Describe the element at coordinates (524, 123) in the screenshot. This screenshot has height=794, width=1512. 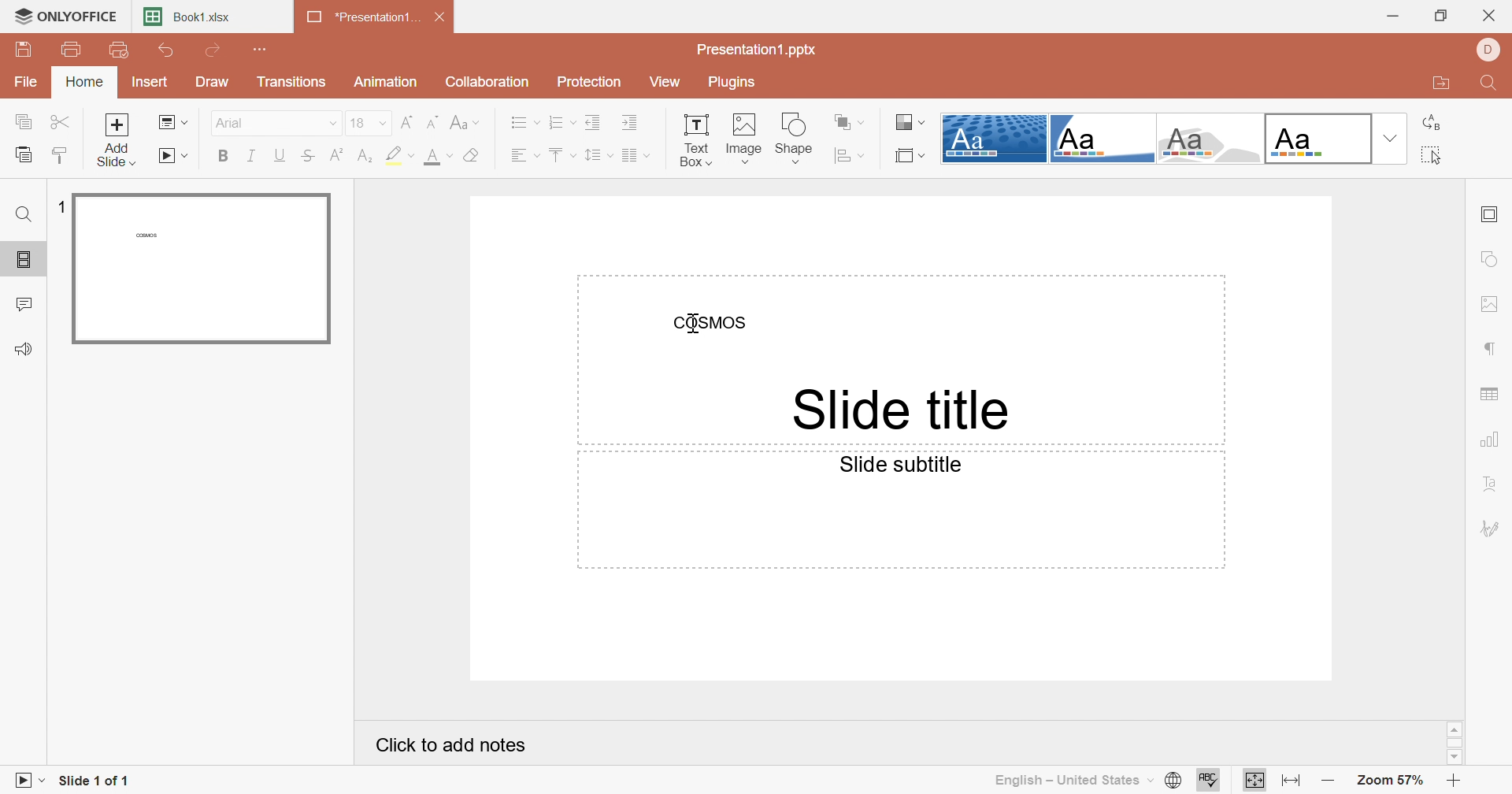
I see `Bullets` at that location.